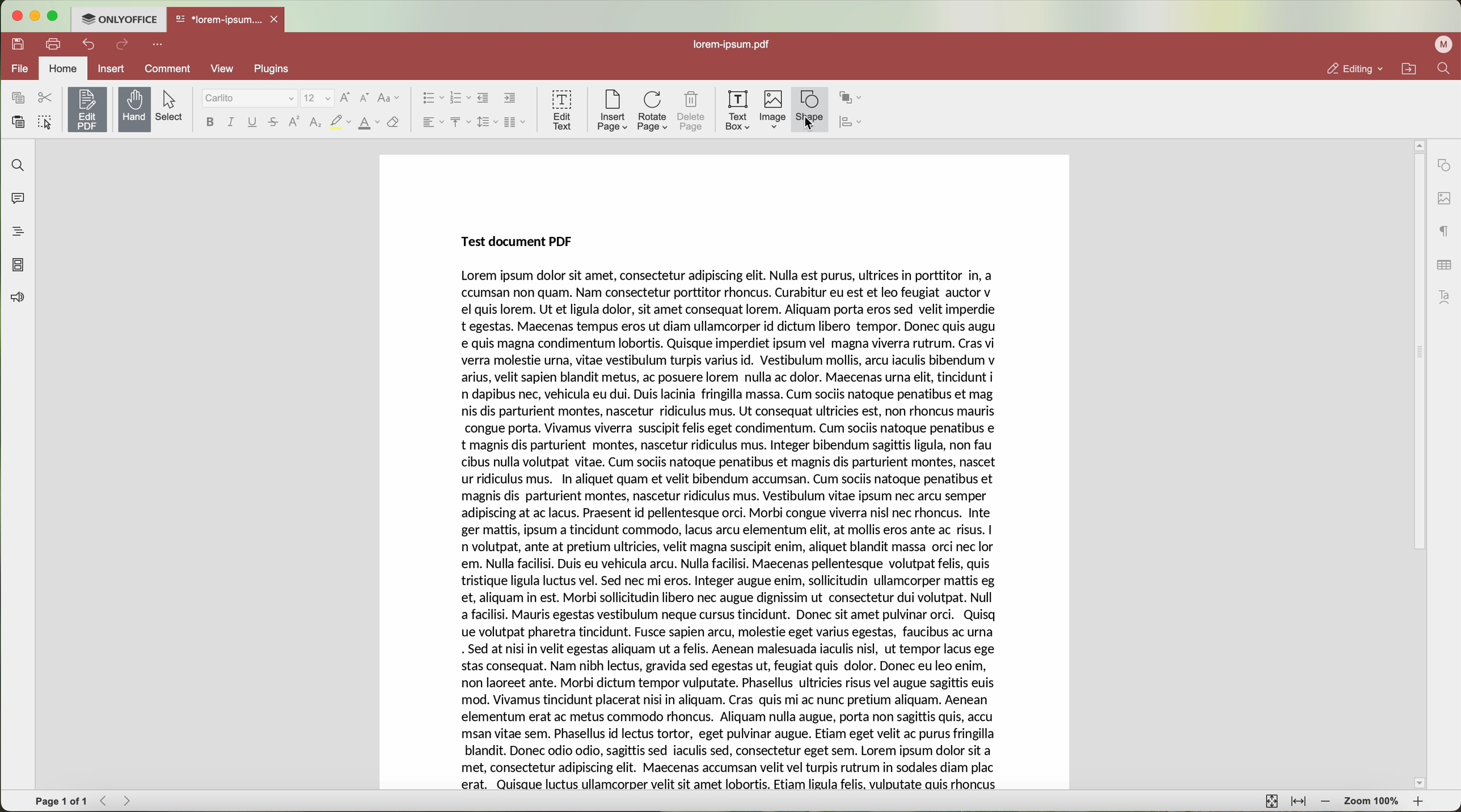 This screenshot has height=812, width=1461. I want to click on open file location, so click(1409, 69).